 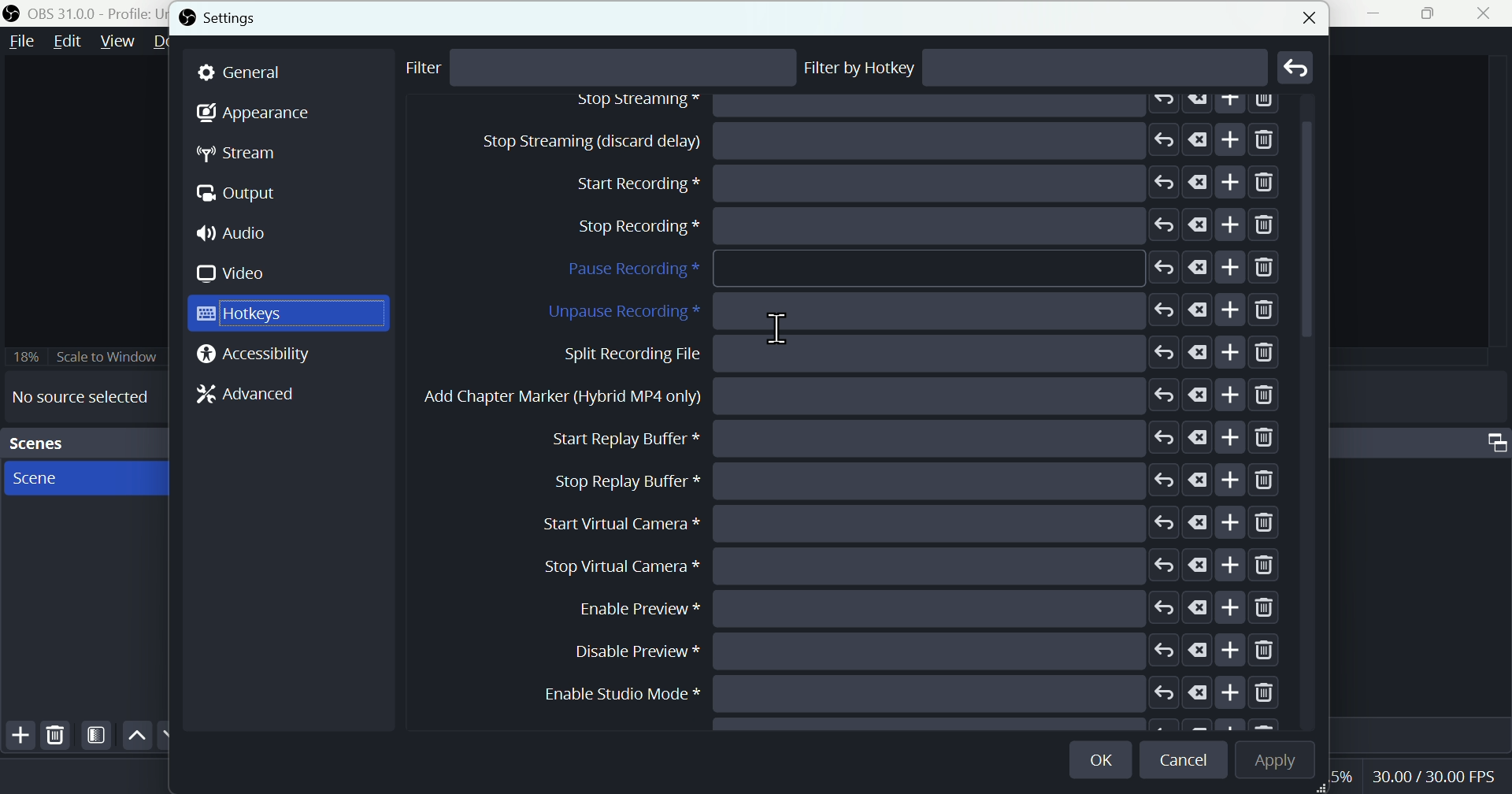 I want to click on Output, so click(x=245, y=195).